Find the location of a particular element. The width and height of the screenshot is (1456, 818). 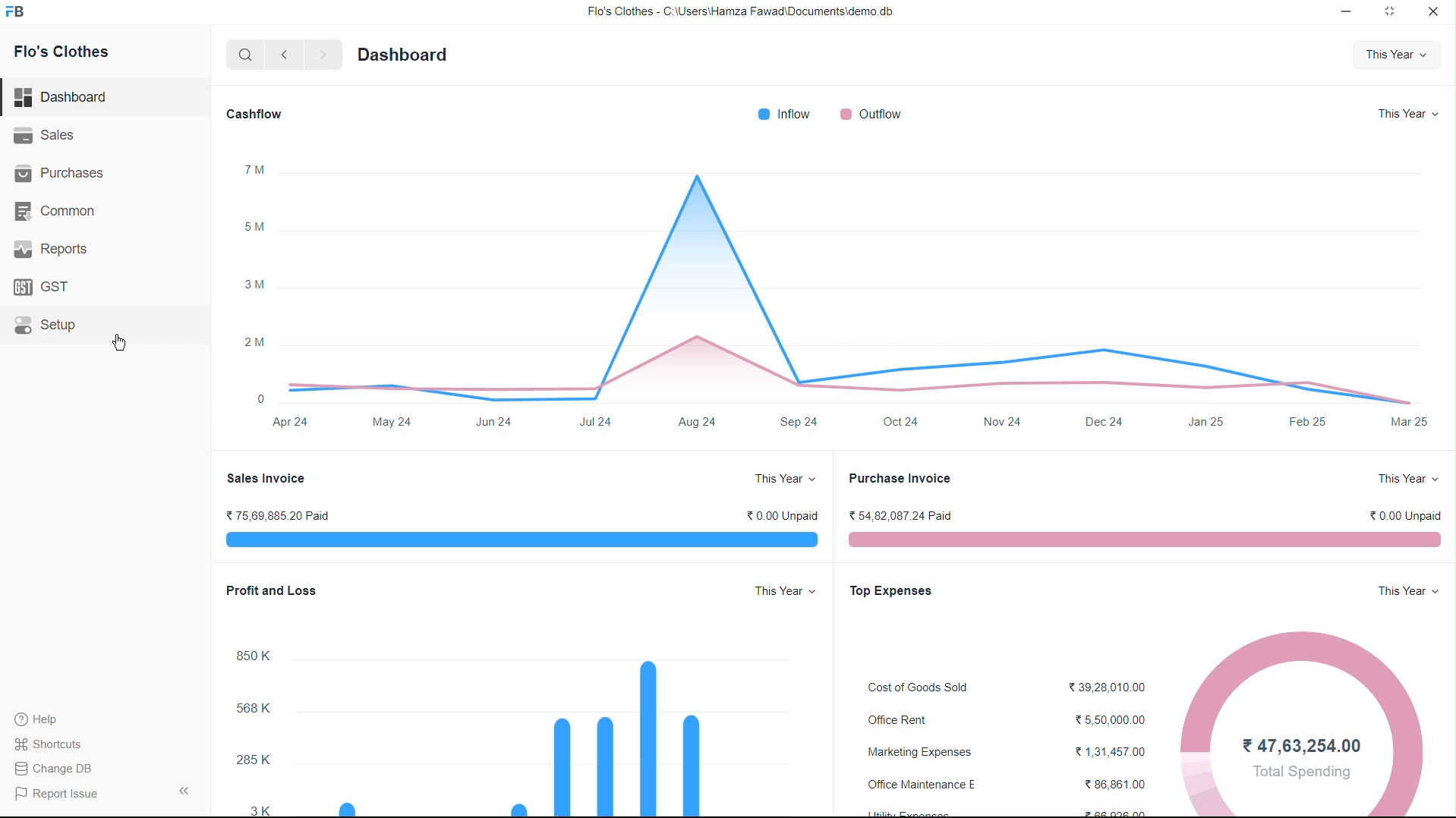

Collapse is located at coordinates (183, 790).